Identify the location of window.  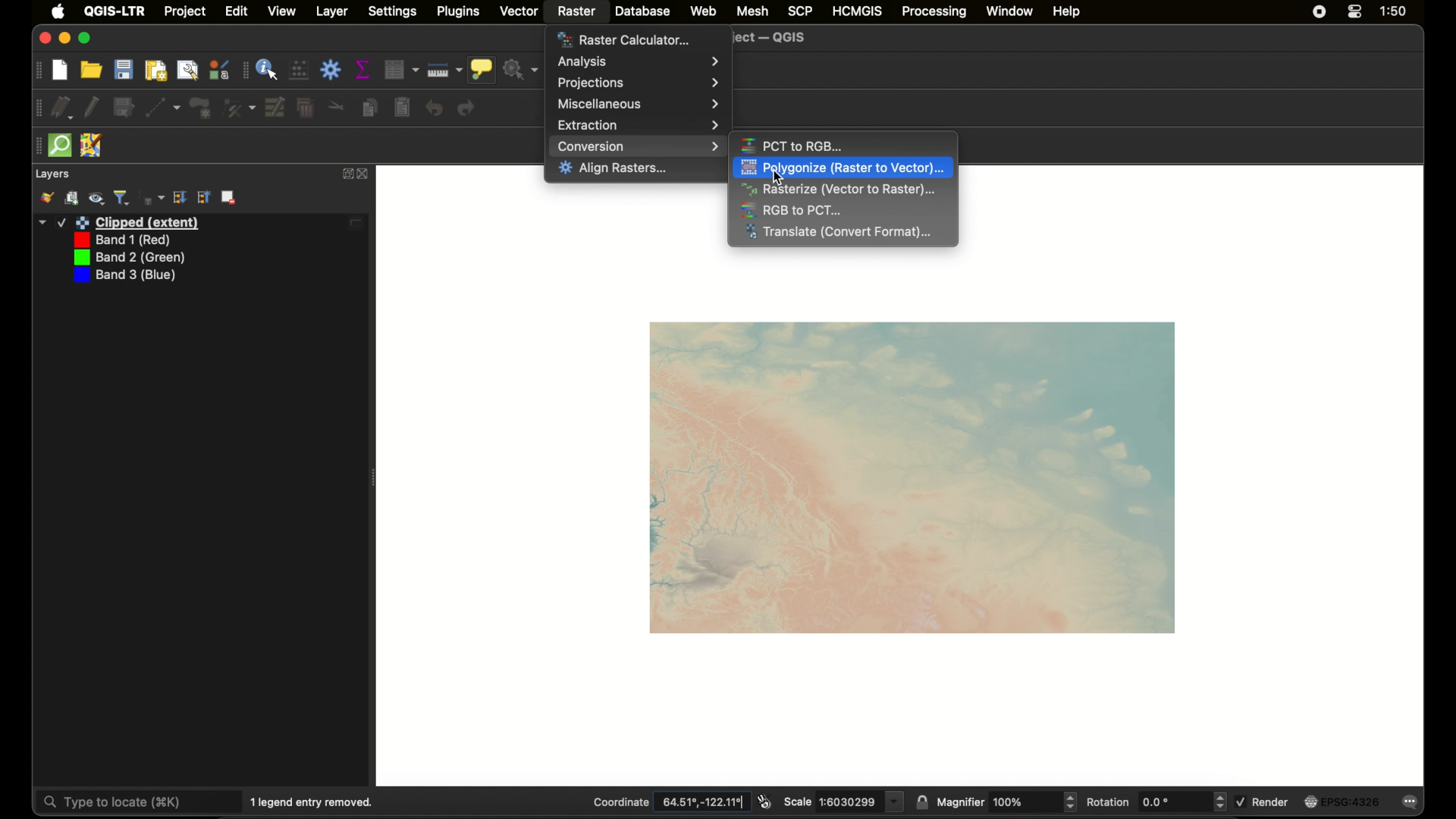
(1009, 11).